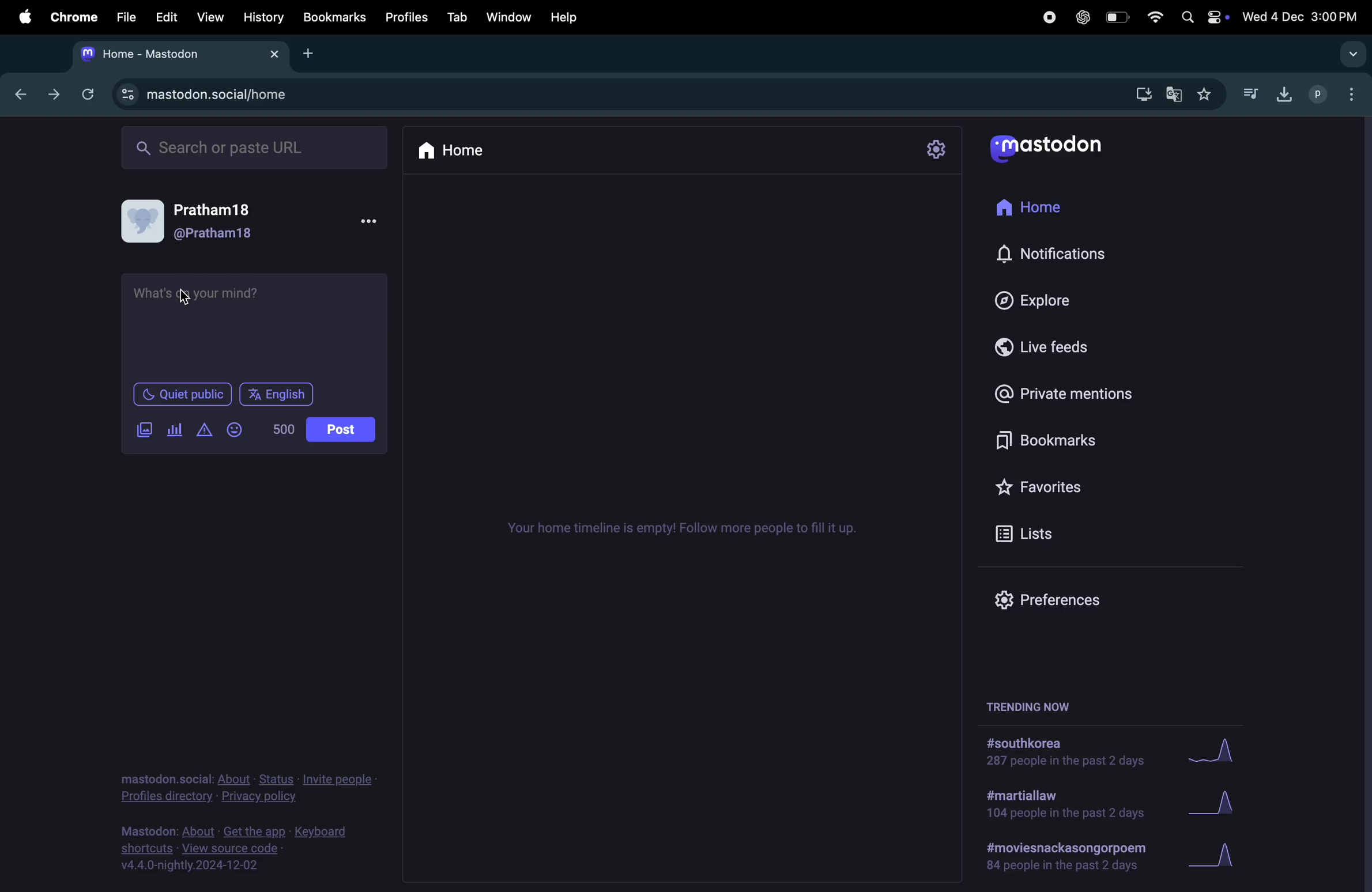  I want to click on Graph, so click(1213, 856).